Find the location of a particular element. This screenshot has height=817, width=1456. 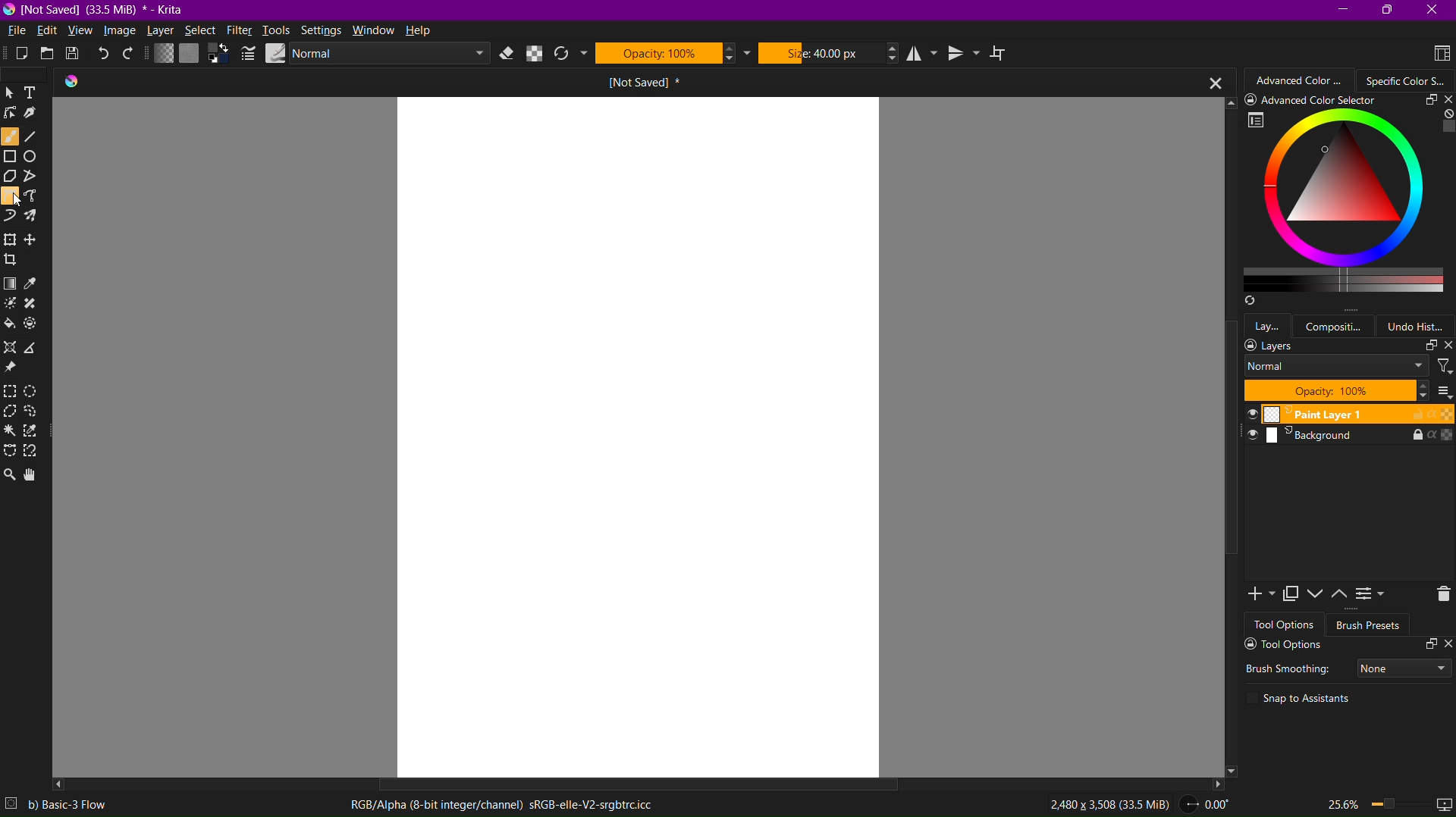

Freehand Selection Tool is located at coordinates (36, 414).